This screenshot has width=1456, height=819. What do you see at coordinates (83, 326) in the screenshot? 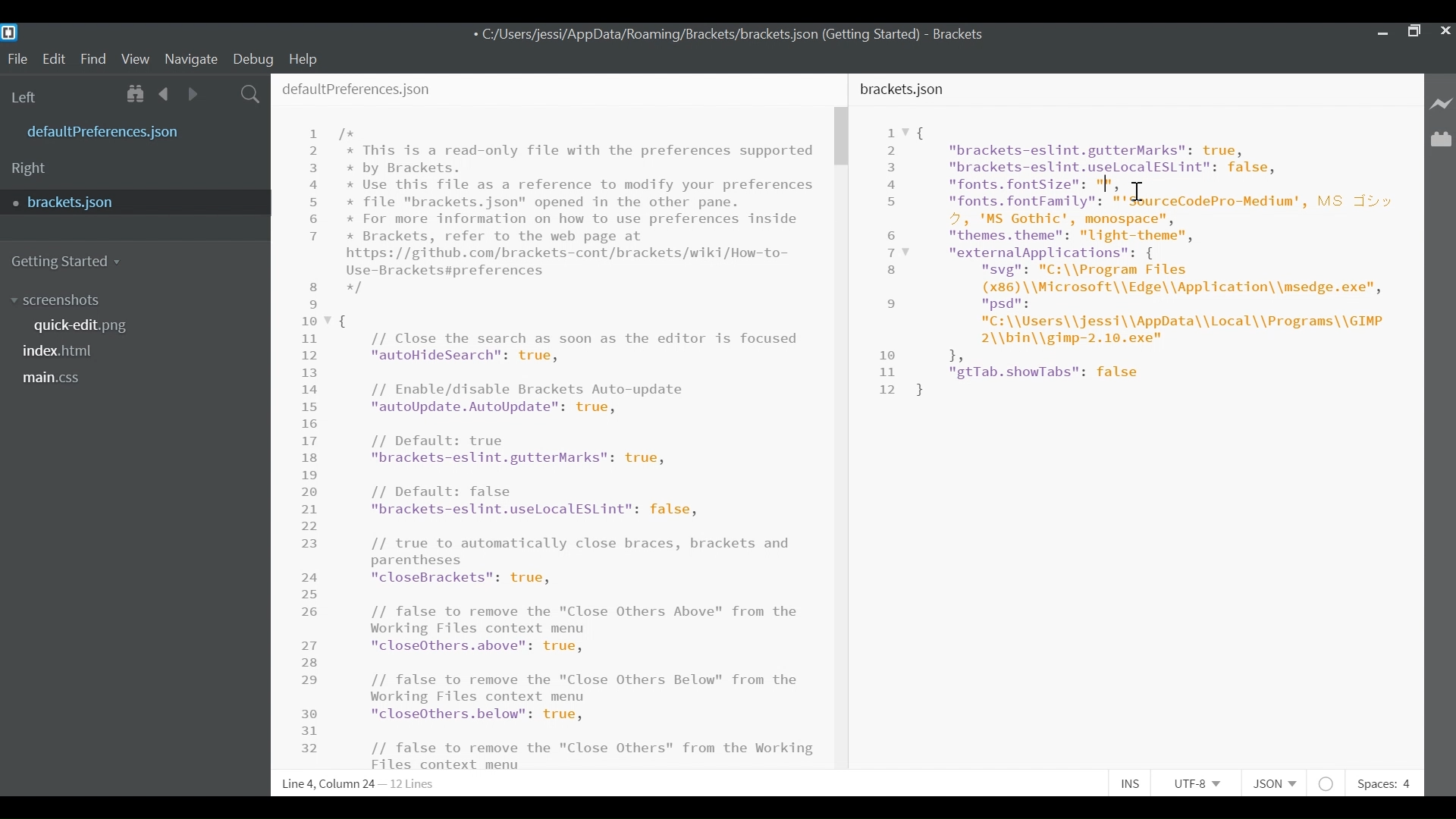
I see `quick.edit.png` at bounding box center [83, 326].